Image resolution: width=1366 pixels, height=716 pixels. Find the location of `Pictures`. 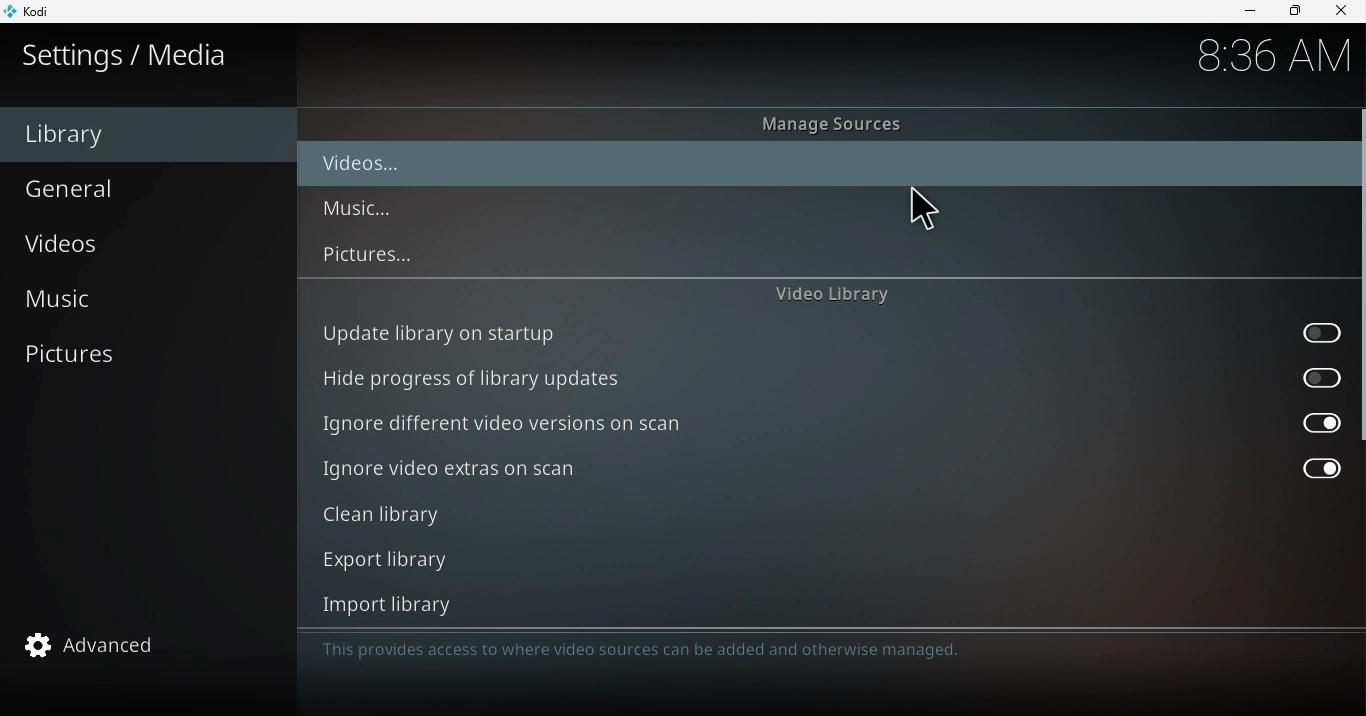

Pictures is located at coordinates (146, 353).